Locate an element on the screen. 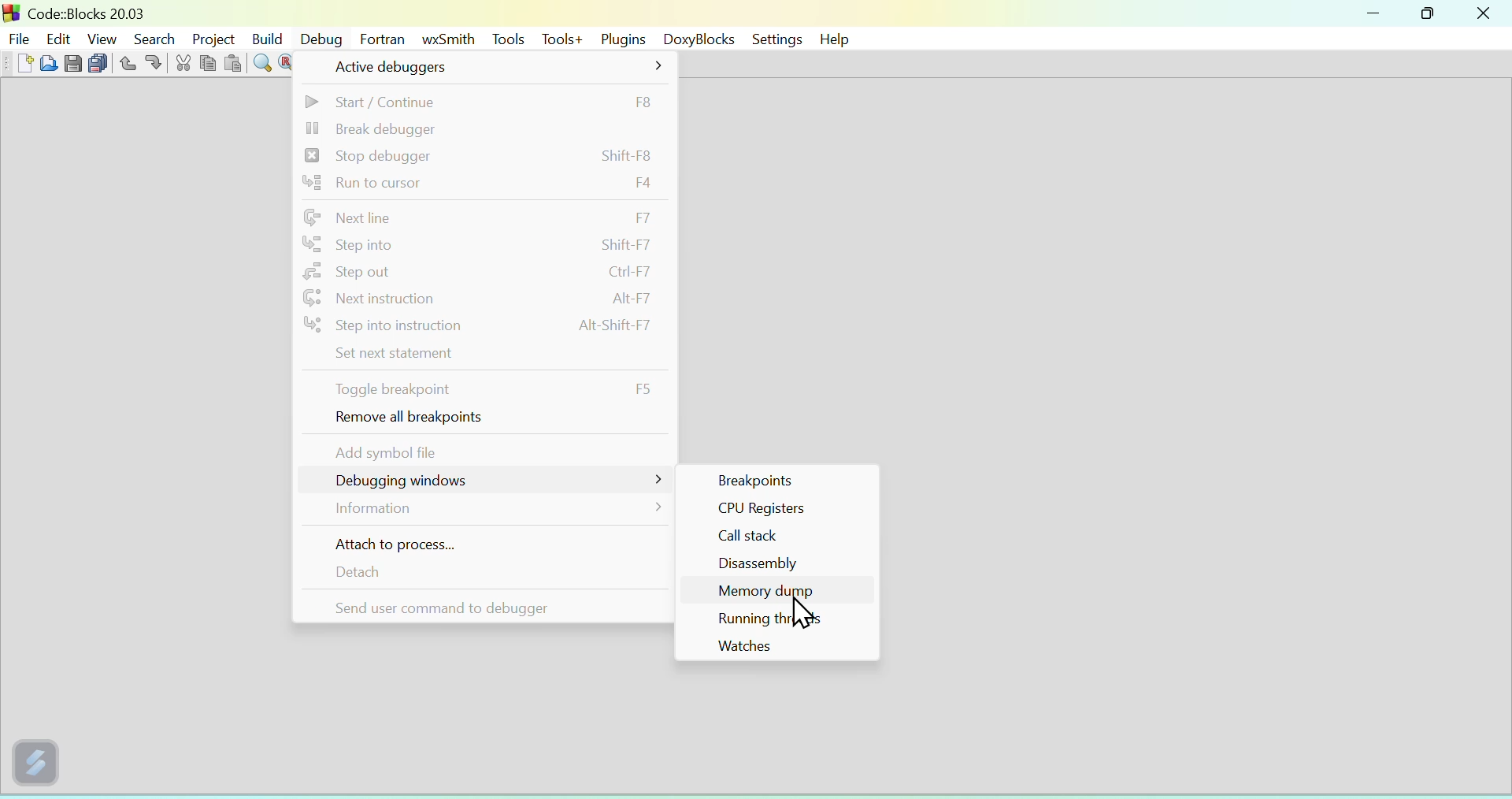  Tools+ is located at coordinates (558, 38).